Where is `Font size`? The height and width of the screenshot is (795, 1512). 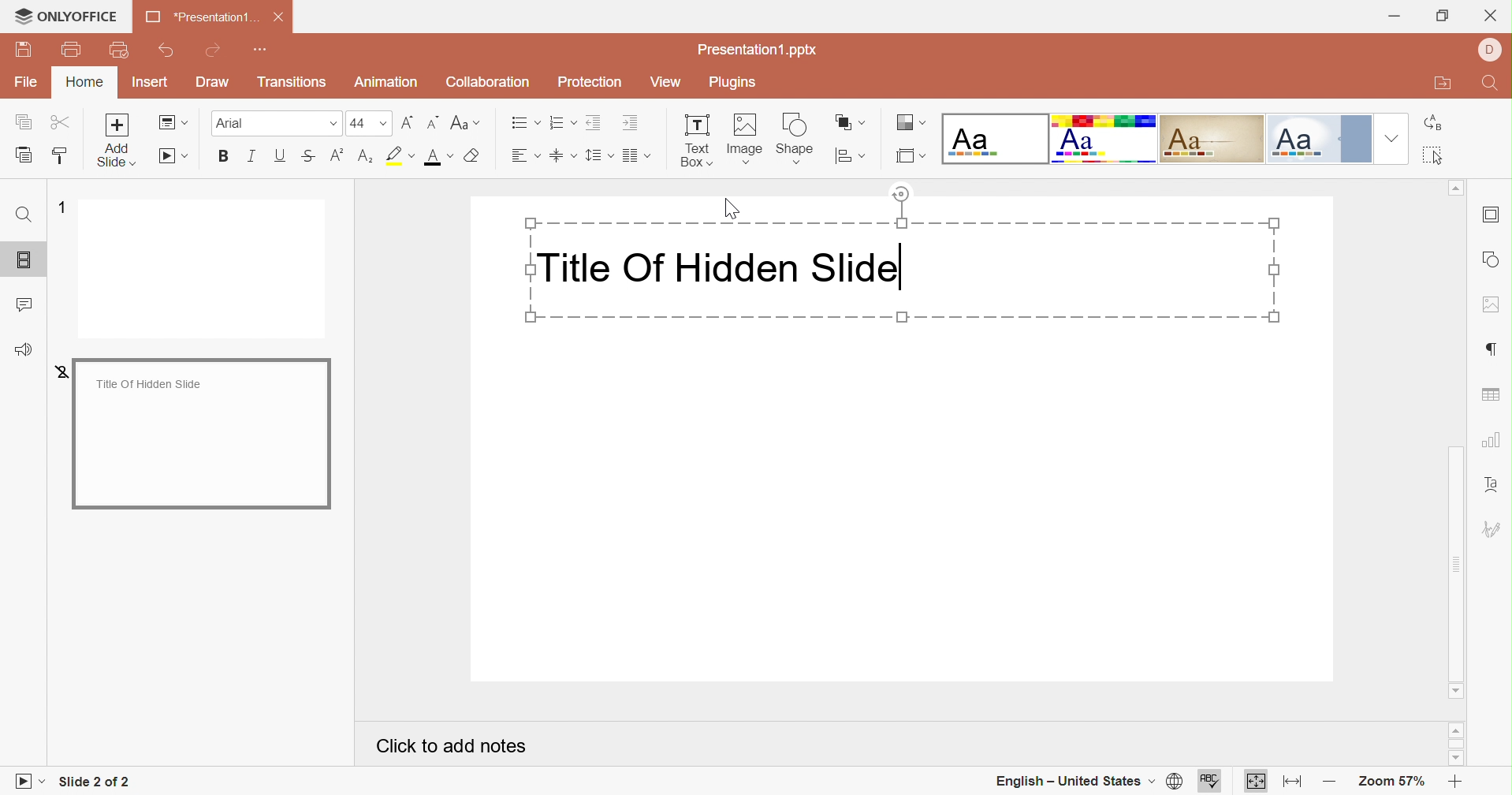 Font size is located at coordinates (367, 123).